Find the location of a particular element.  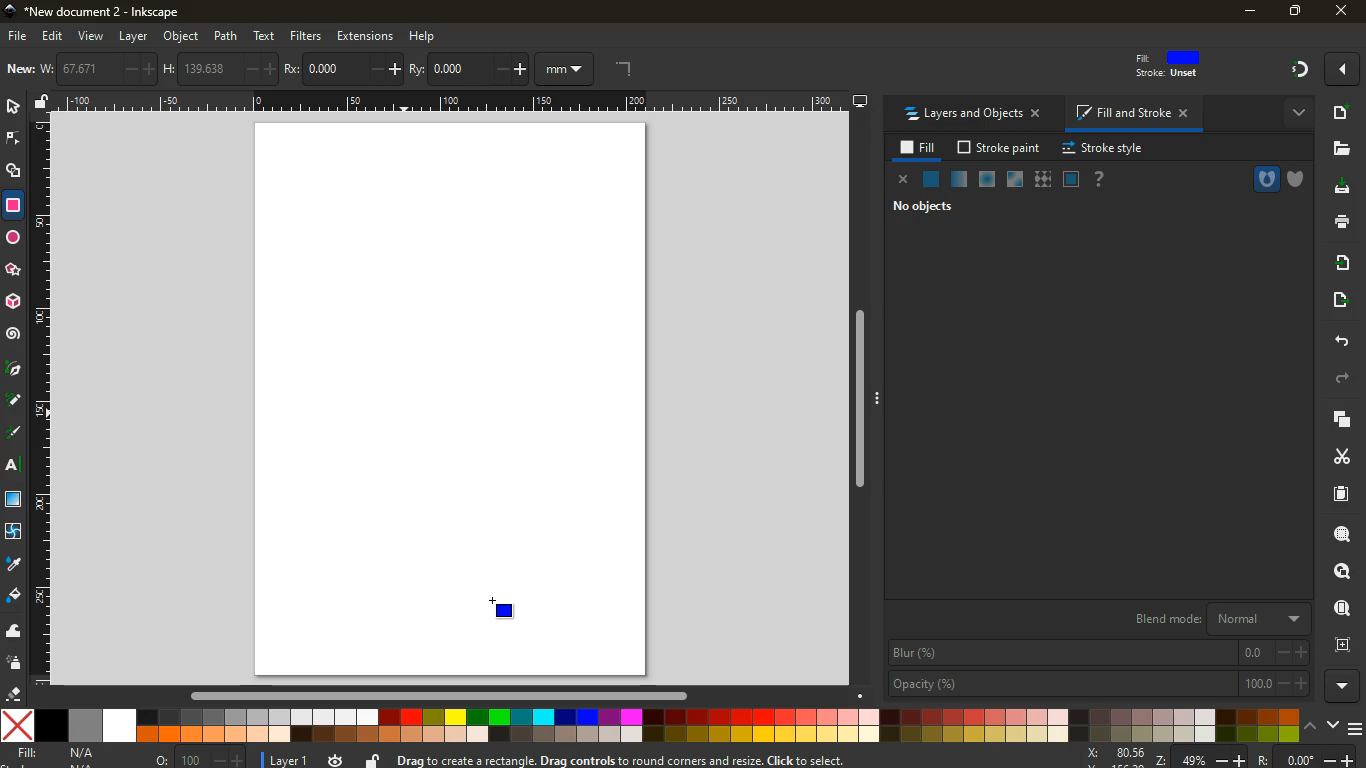

pic is located at coordinates (14, 366).